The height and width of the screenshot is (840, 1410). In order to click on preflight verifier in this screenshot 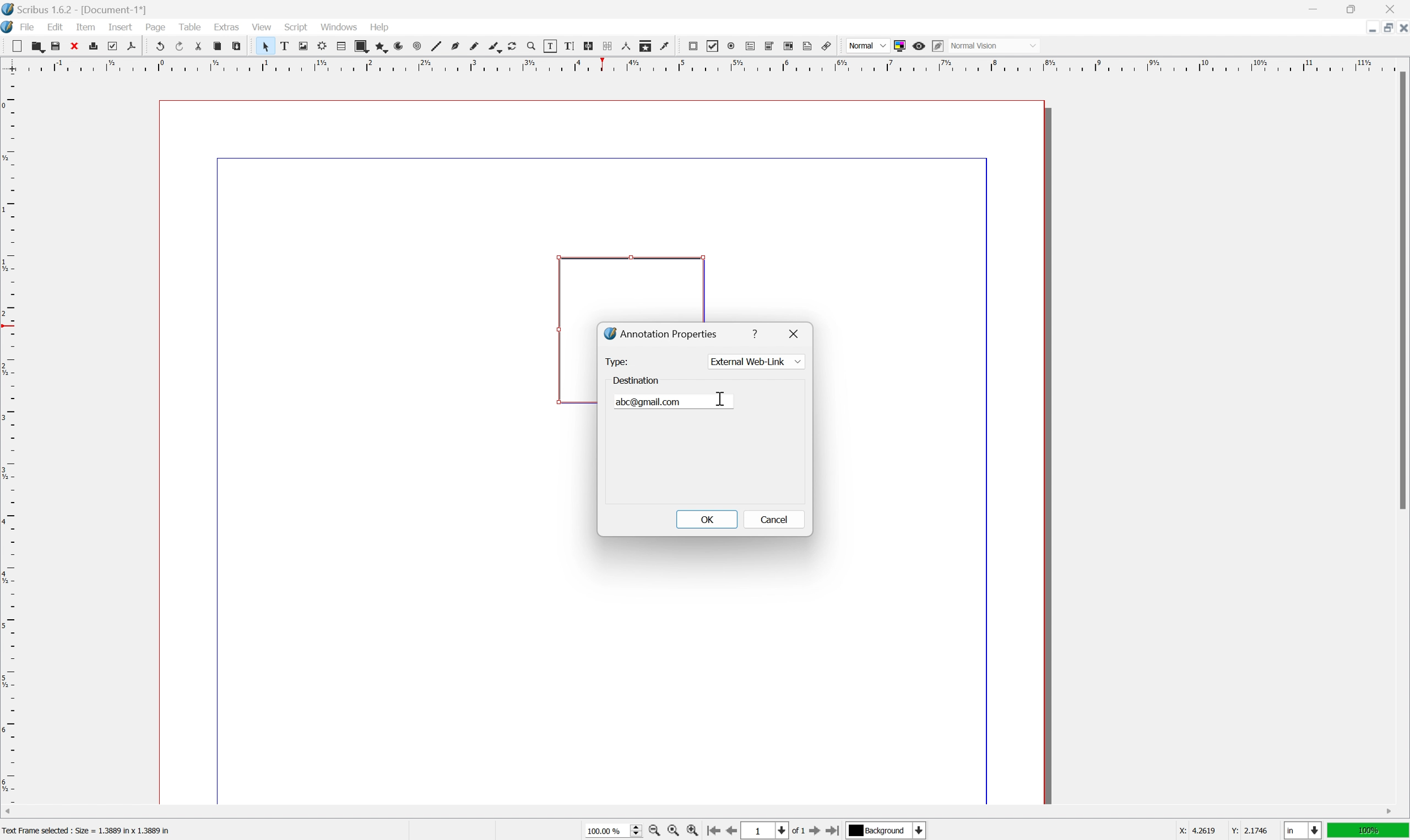, I will do `click(113, 46)`.